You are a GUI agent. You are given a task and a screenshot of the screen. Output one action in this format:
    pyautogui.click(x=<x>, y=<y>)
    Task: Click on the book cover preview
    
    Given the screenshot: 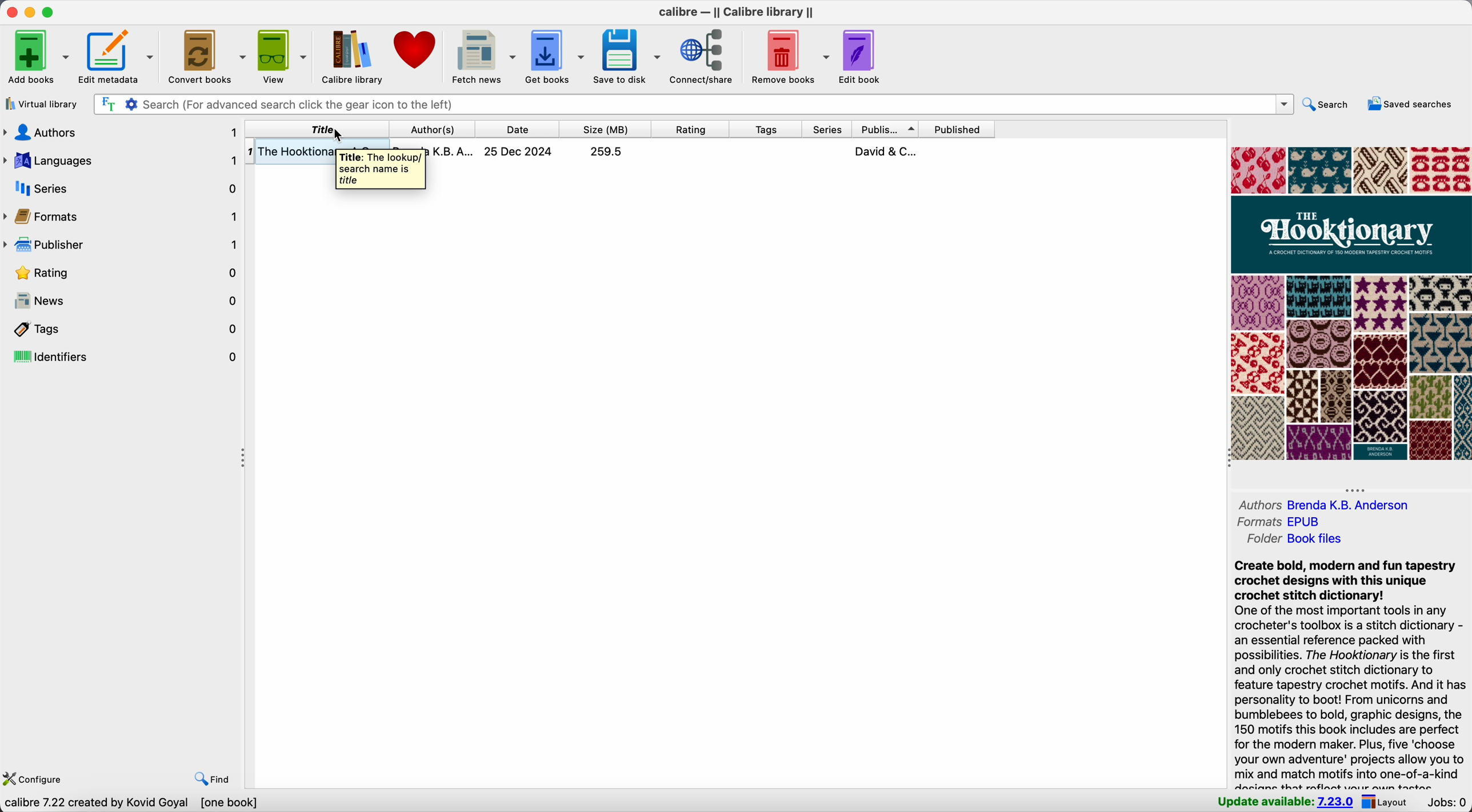 What is the action you would take?
    pyautogui.click(x=1350, y=303)
    